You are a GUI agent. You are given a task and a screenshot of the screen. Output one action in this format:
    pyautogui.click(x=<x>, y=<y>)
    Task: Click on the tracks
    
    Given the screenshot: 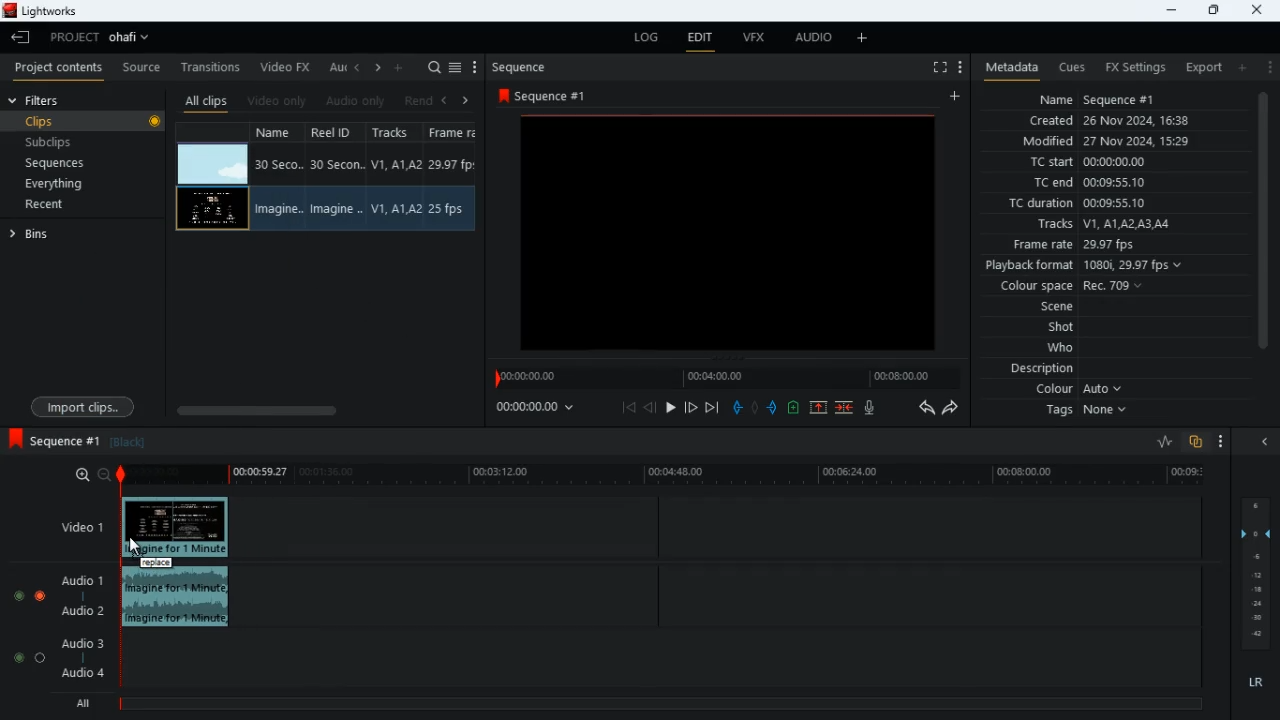 What is the action you would take?
    pyautogui.click(x=1102, y=225)
    